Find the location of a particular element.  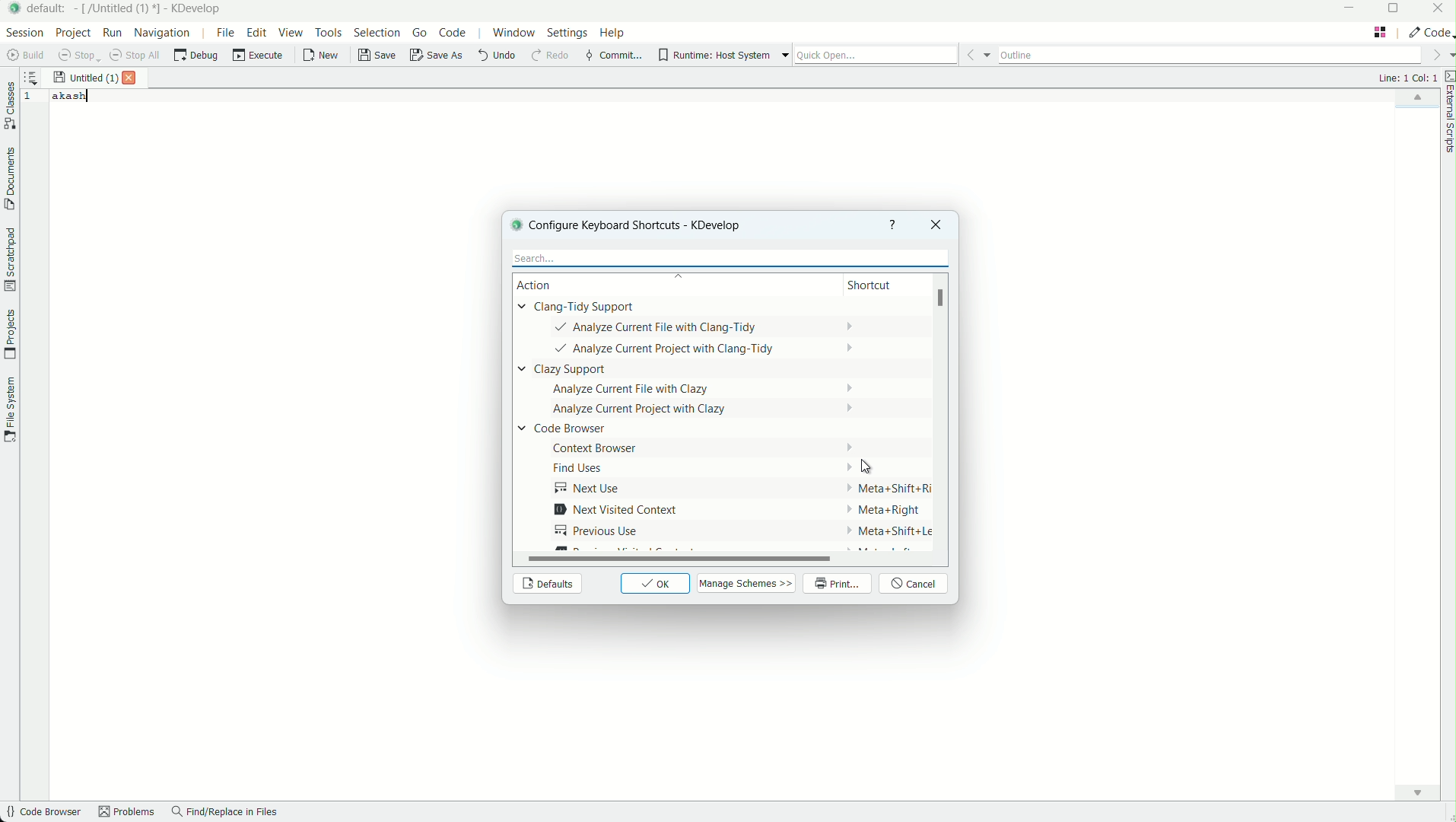

file menu is located at coordinates (224, 32).